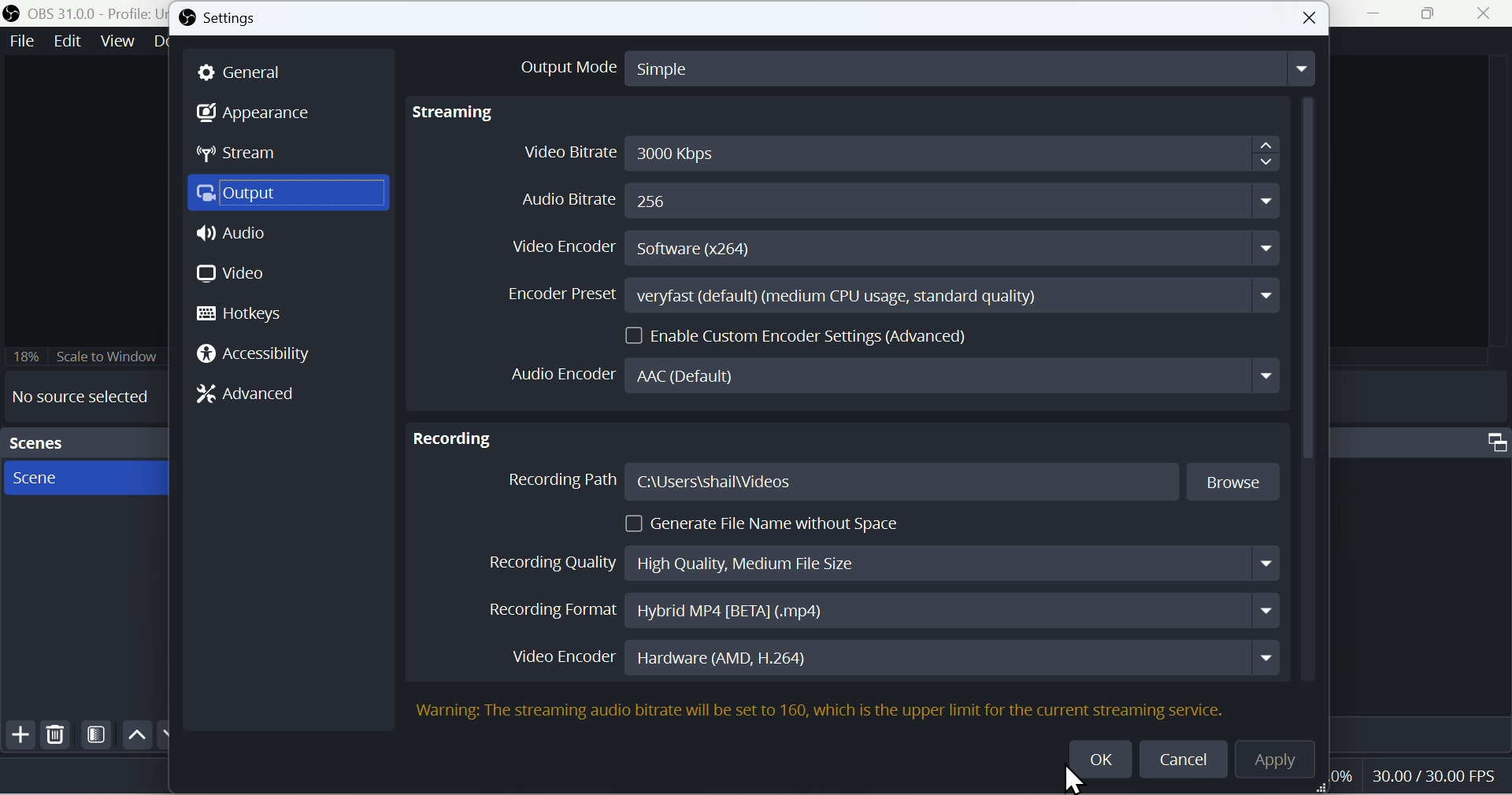 The height and width of the screenshot is (795, 1512). What do you see at coordinates (1425, 440) in the screenshot?
I see `Audio mixer` at bounding box center [1425, 440].